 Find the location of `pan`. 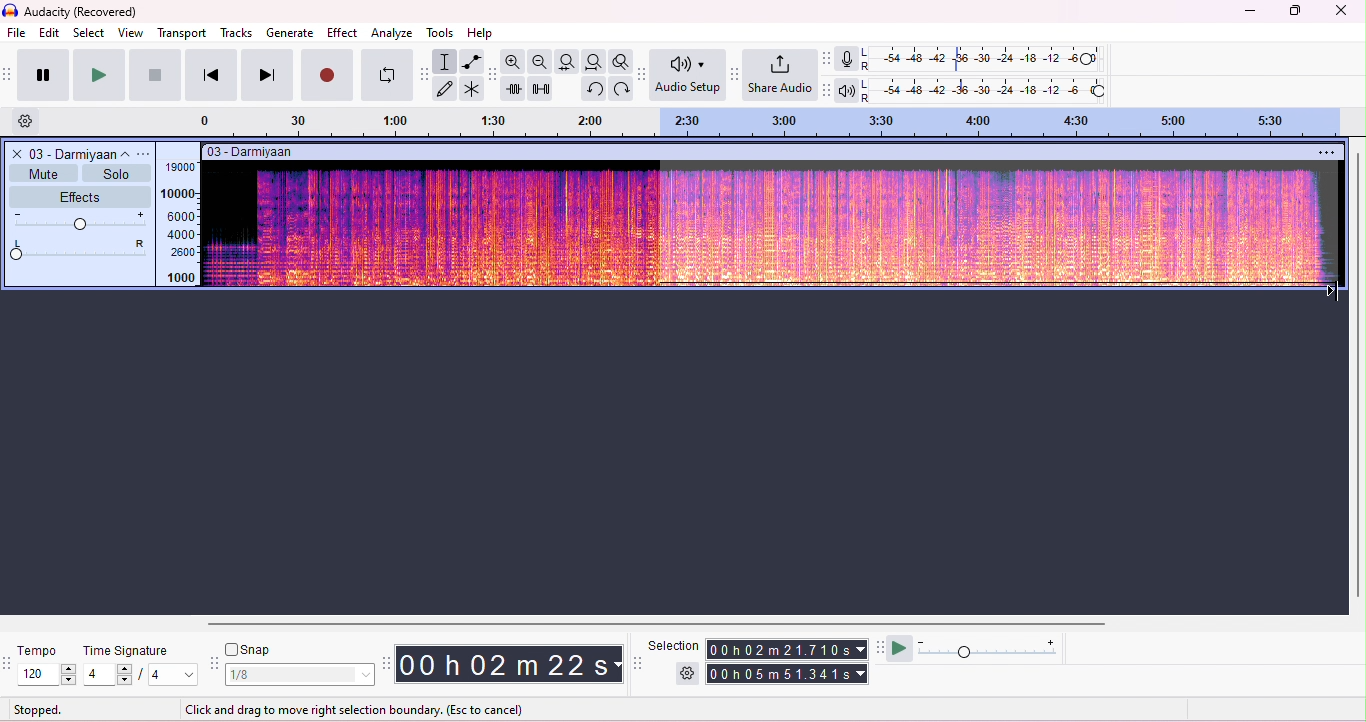

pan is located at coordinates (81, 249).